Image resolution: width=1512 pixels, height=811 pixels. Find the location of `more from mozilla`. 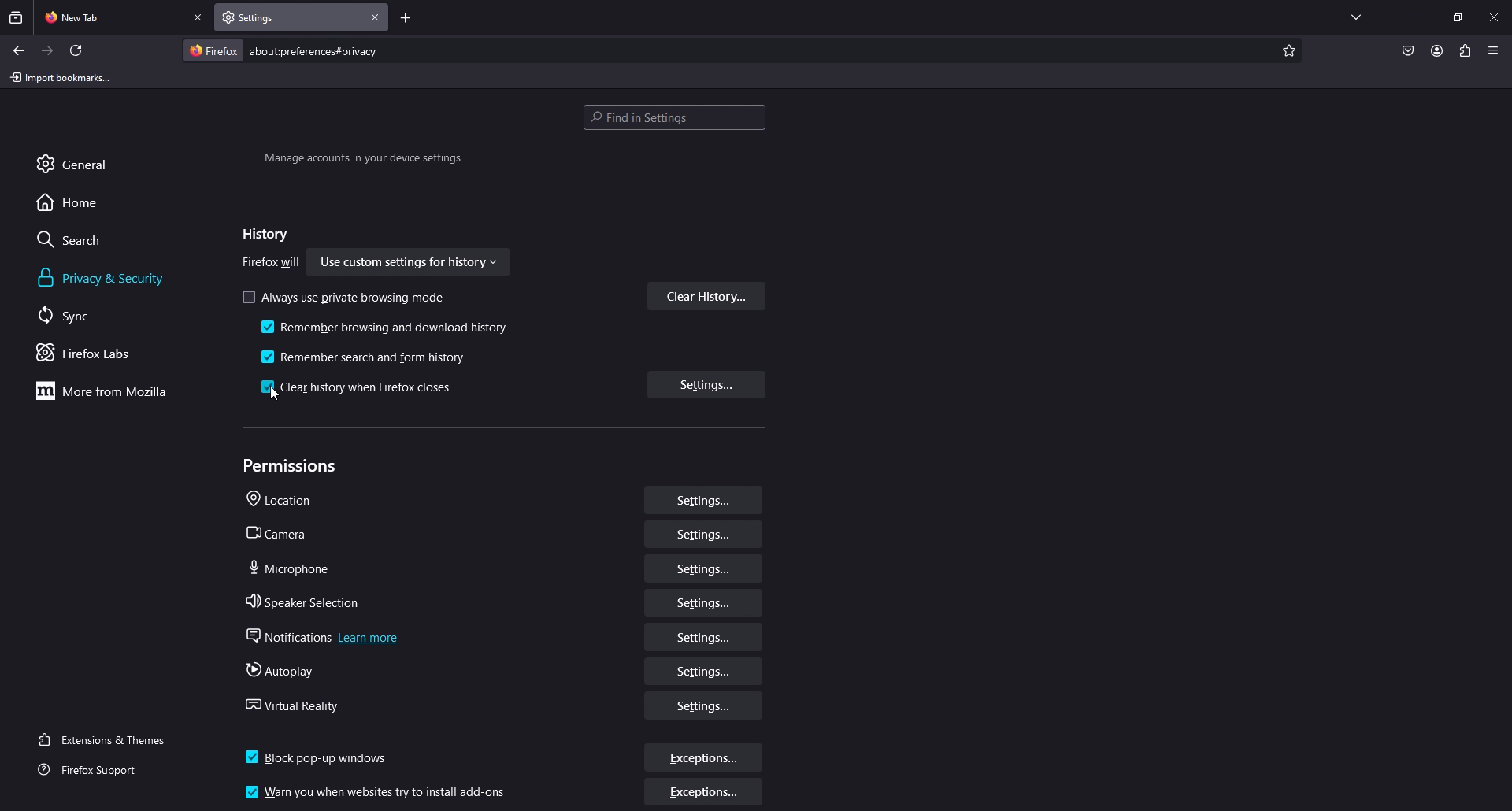

more from mozilla is located at coordinates (110, 391).